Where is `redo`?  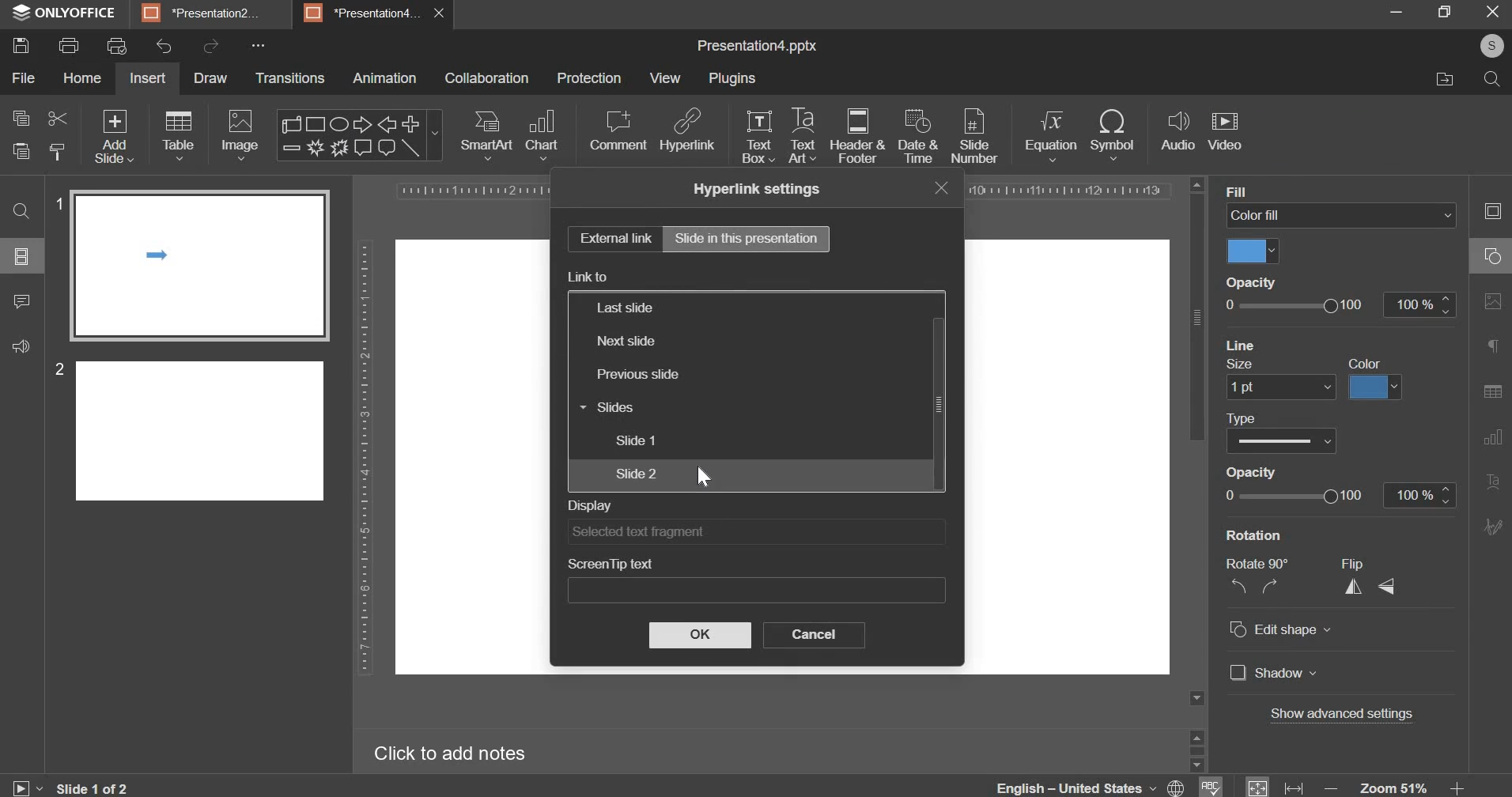 redo is located at coordinates (211, 46).